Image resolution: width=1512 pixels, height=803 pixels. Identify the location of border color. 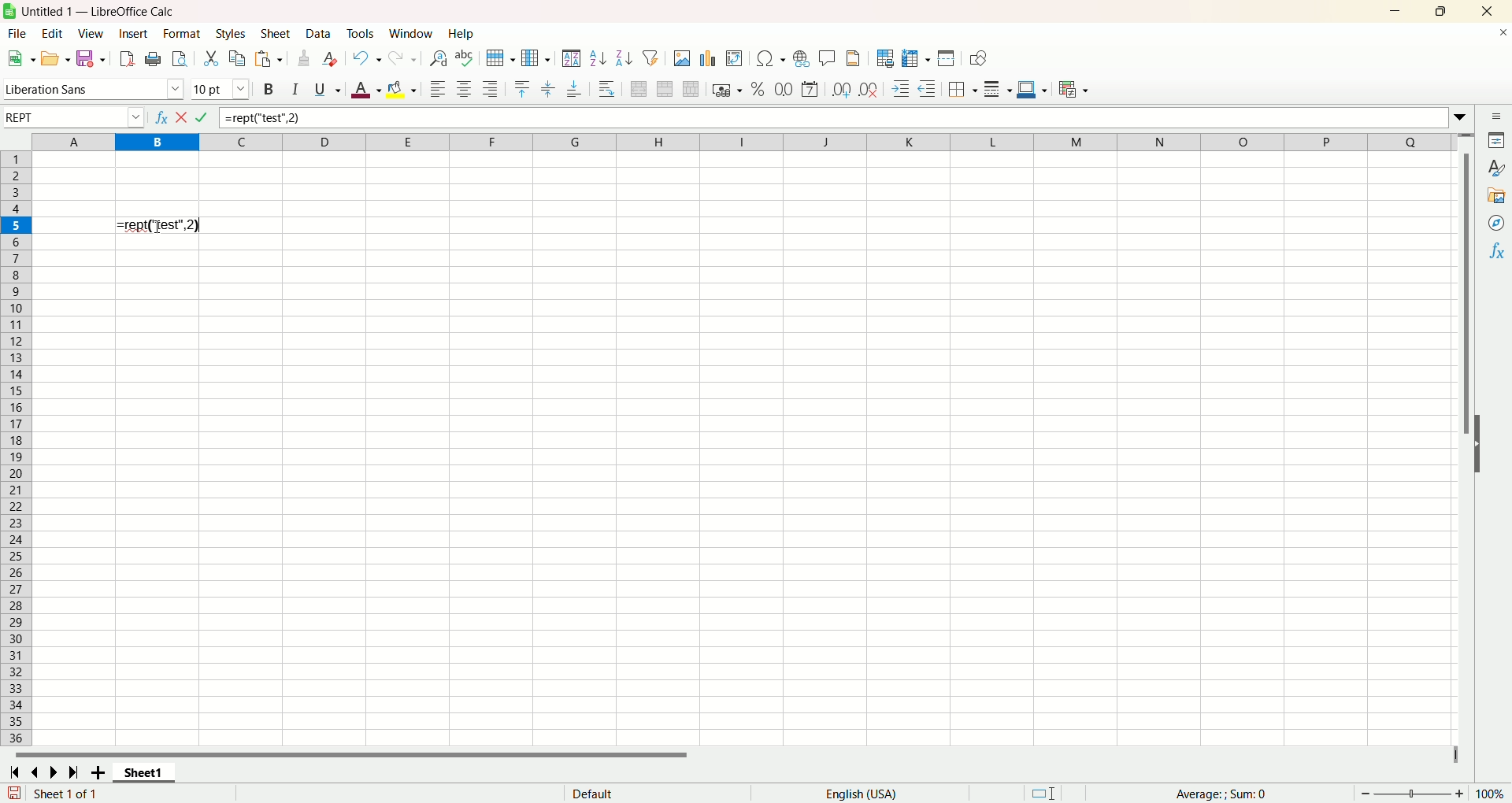
(1032, 91).